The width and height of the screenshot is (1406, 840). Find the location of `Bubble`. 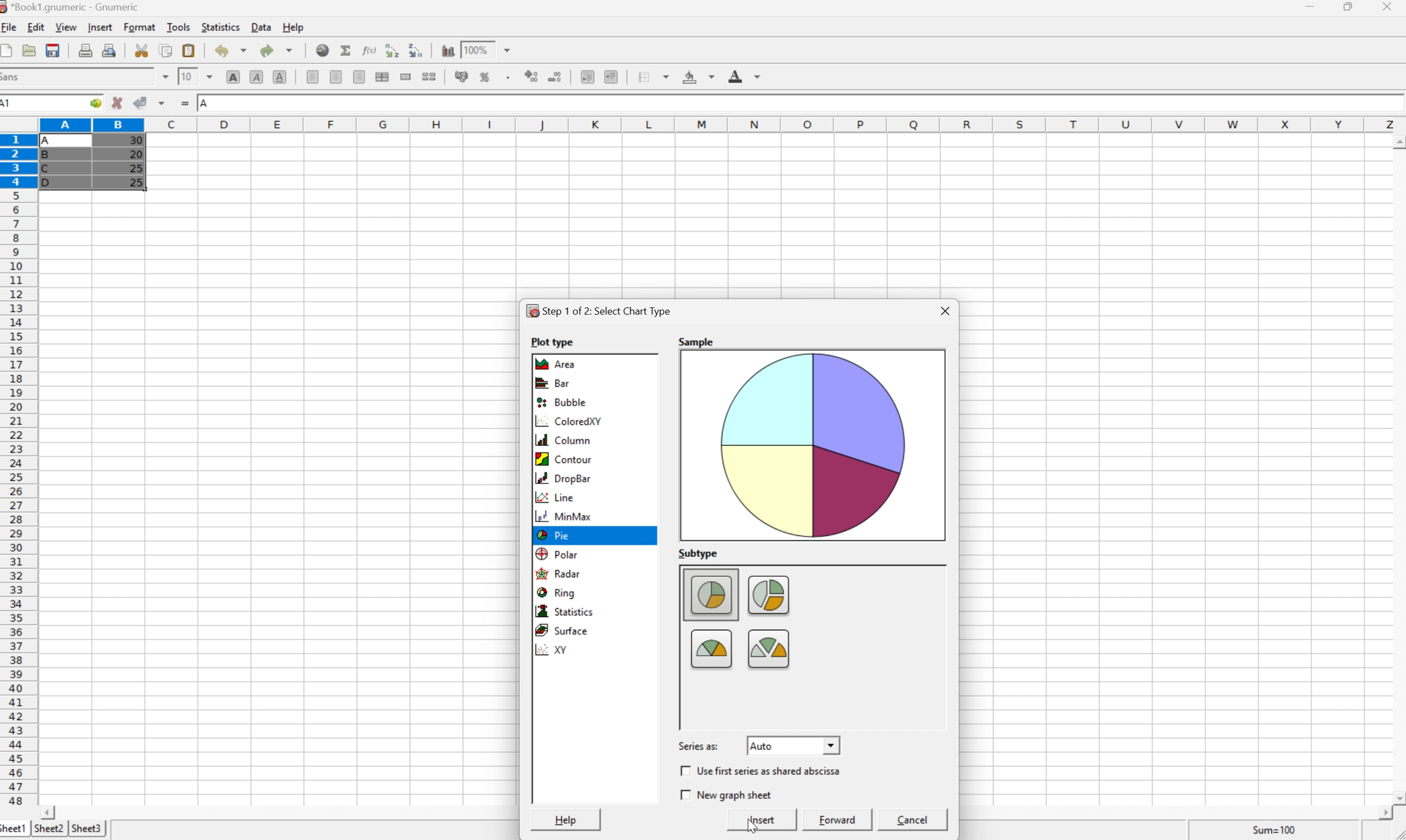

Bubble is located at coordinates (562, 402).